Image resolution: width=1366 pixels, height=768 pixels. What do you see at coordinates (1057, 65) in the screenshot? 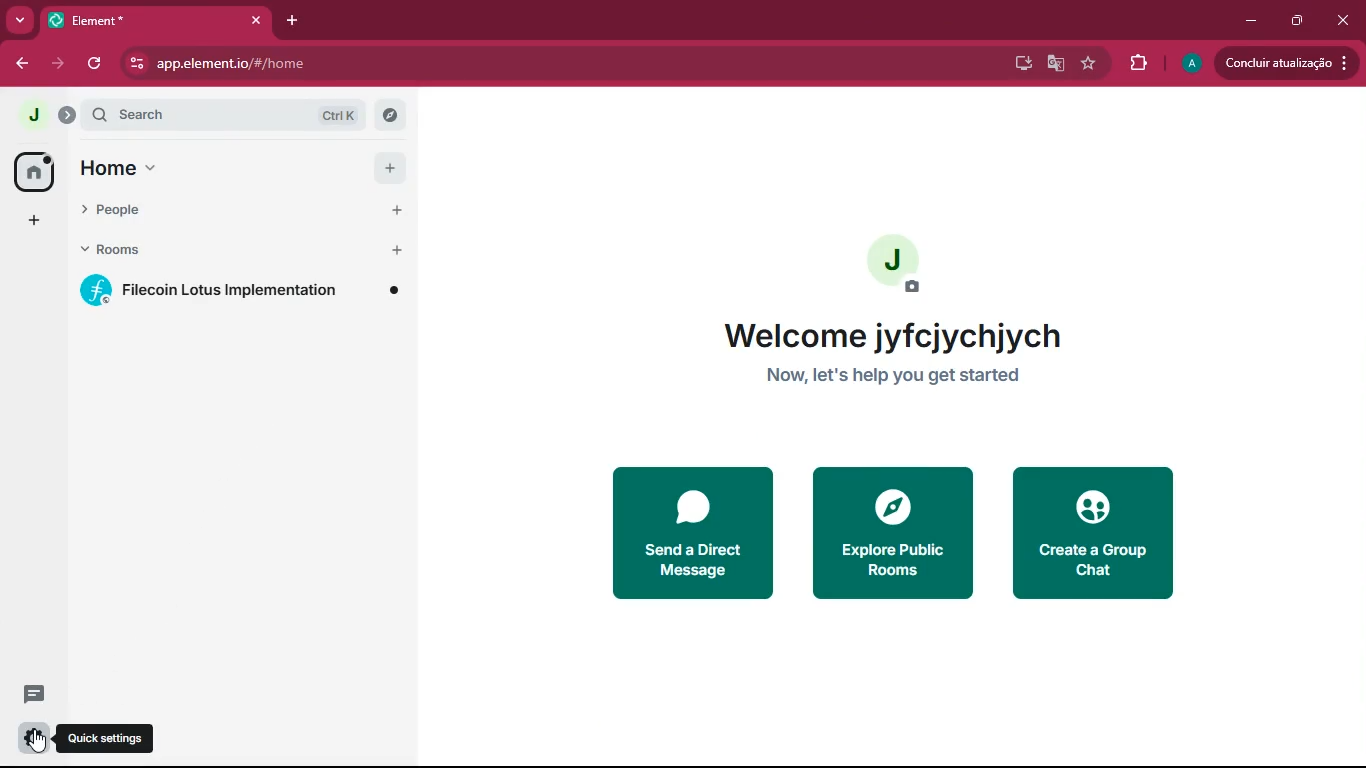
I see `google translate` at bounding box center [1057, 65].